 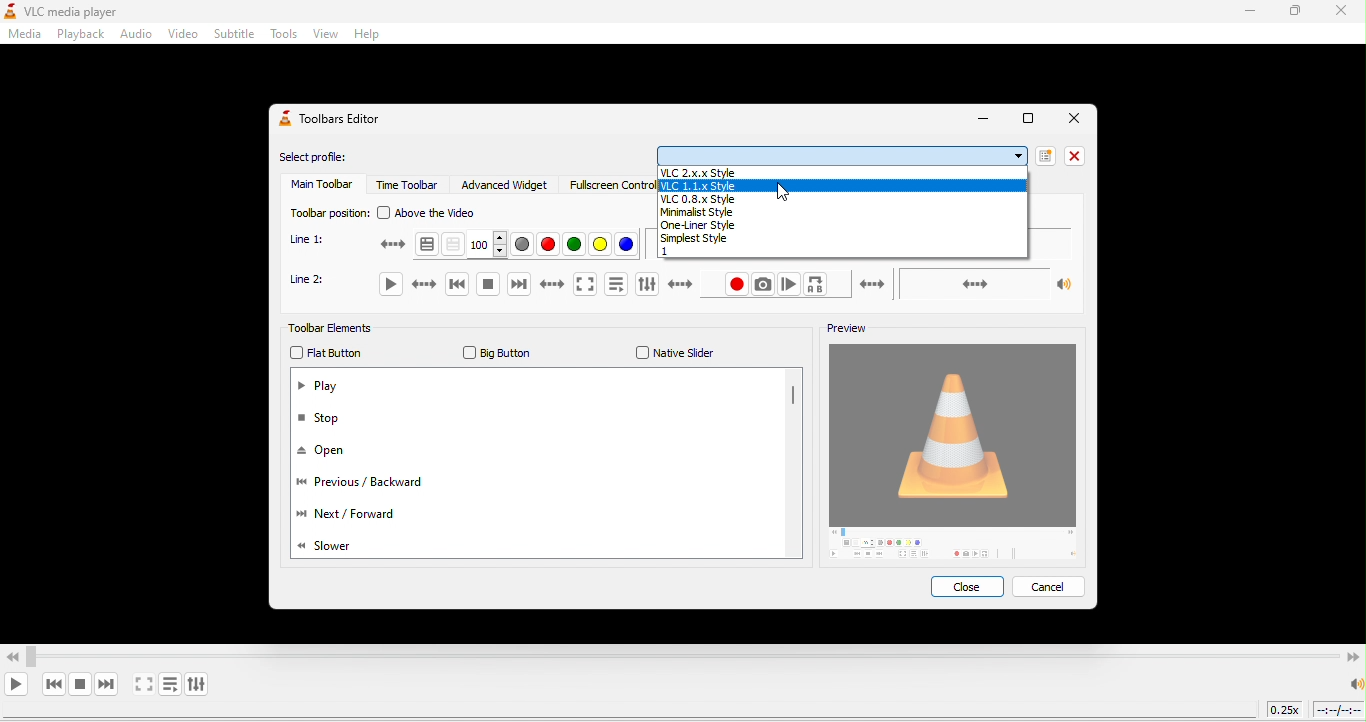 I want to click on tools, so click(x=283, y=36).